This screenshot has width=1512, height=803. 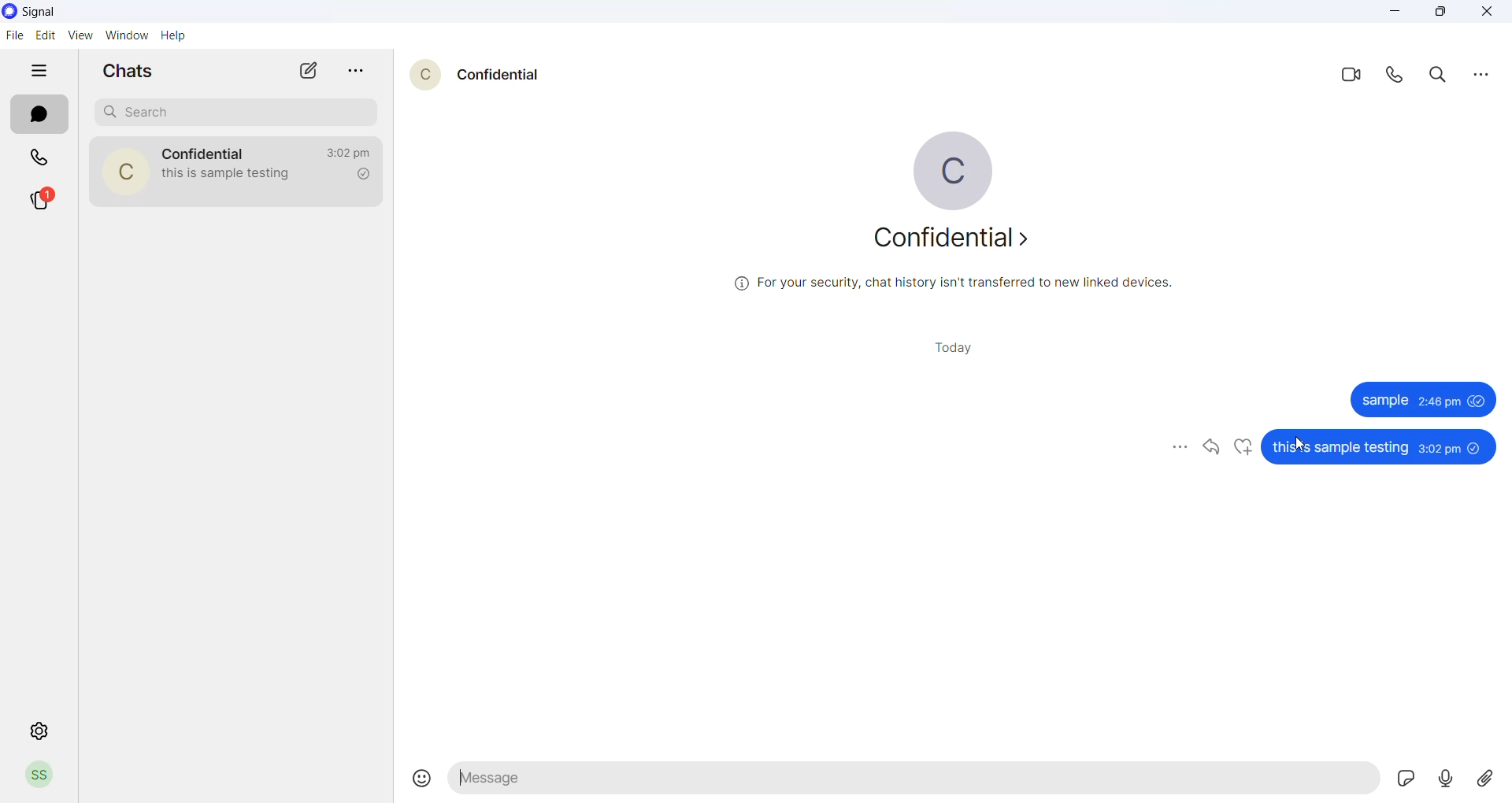 What do you see at coordinates (232, 176) in the screenshot?
I see `last message` at bounding box center [232, 176].